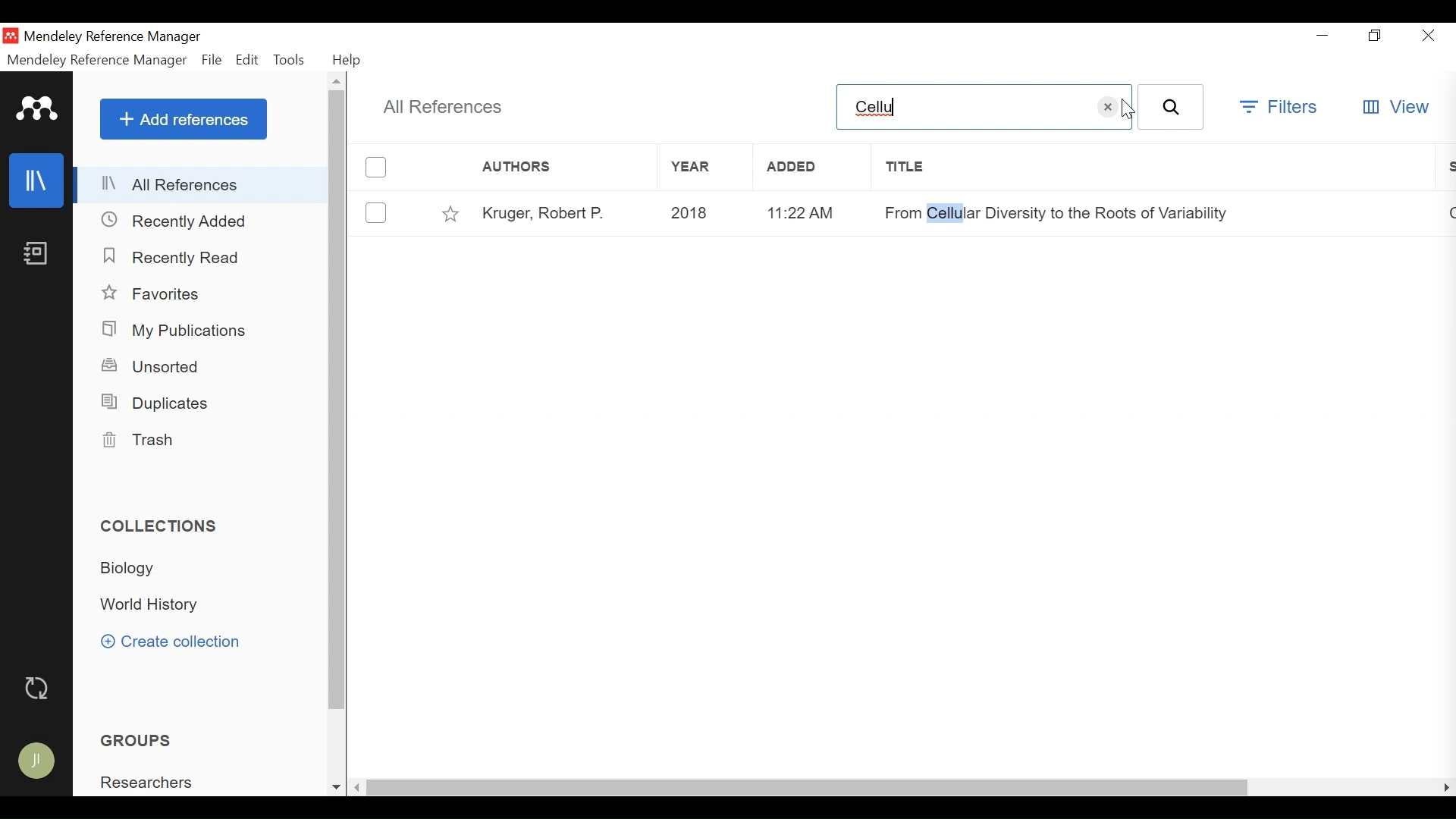 The image size is (1456, 819). Describe the element at coordinates (1280, 109) in the screenshot. I see `Filter` at that location.